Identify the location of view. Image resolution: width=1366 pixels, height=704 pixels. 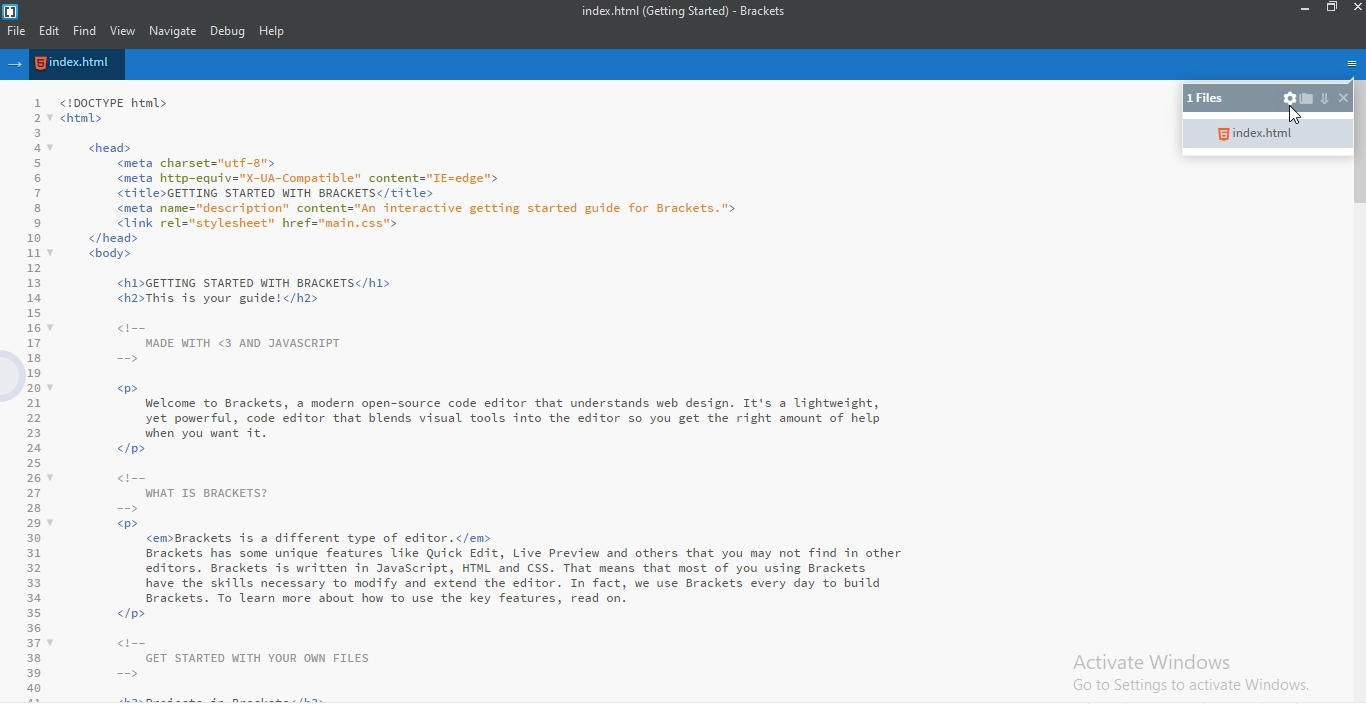
(124, 31).